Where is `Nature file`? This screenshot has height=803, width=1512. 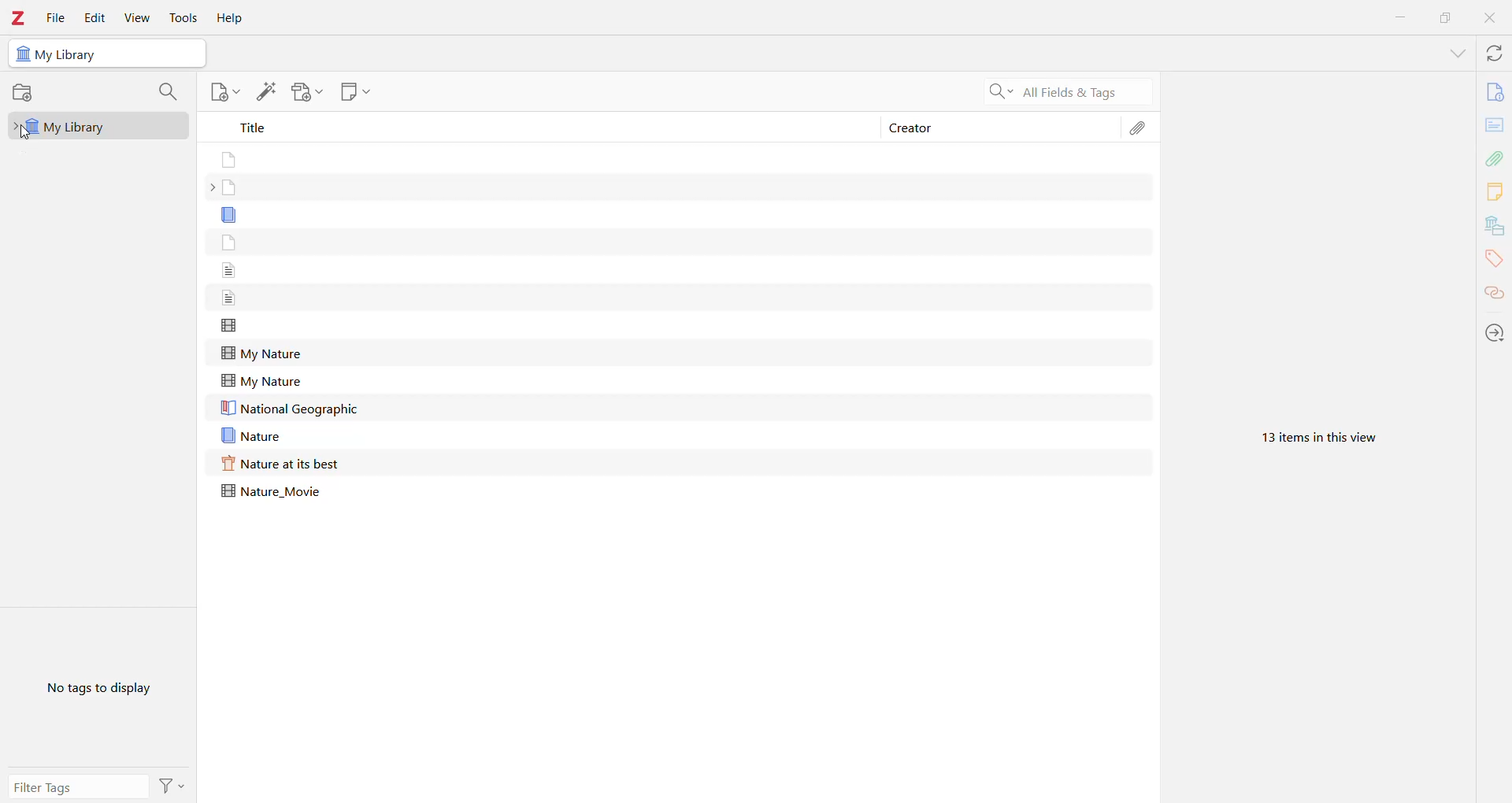
Nature file is located at coordinates (257, 435).